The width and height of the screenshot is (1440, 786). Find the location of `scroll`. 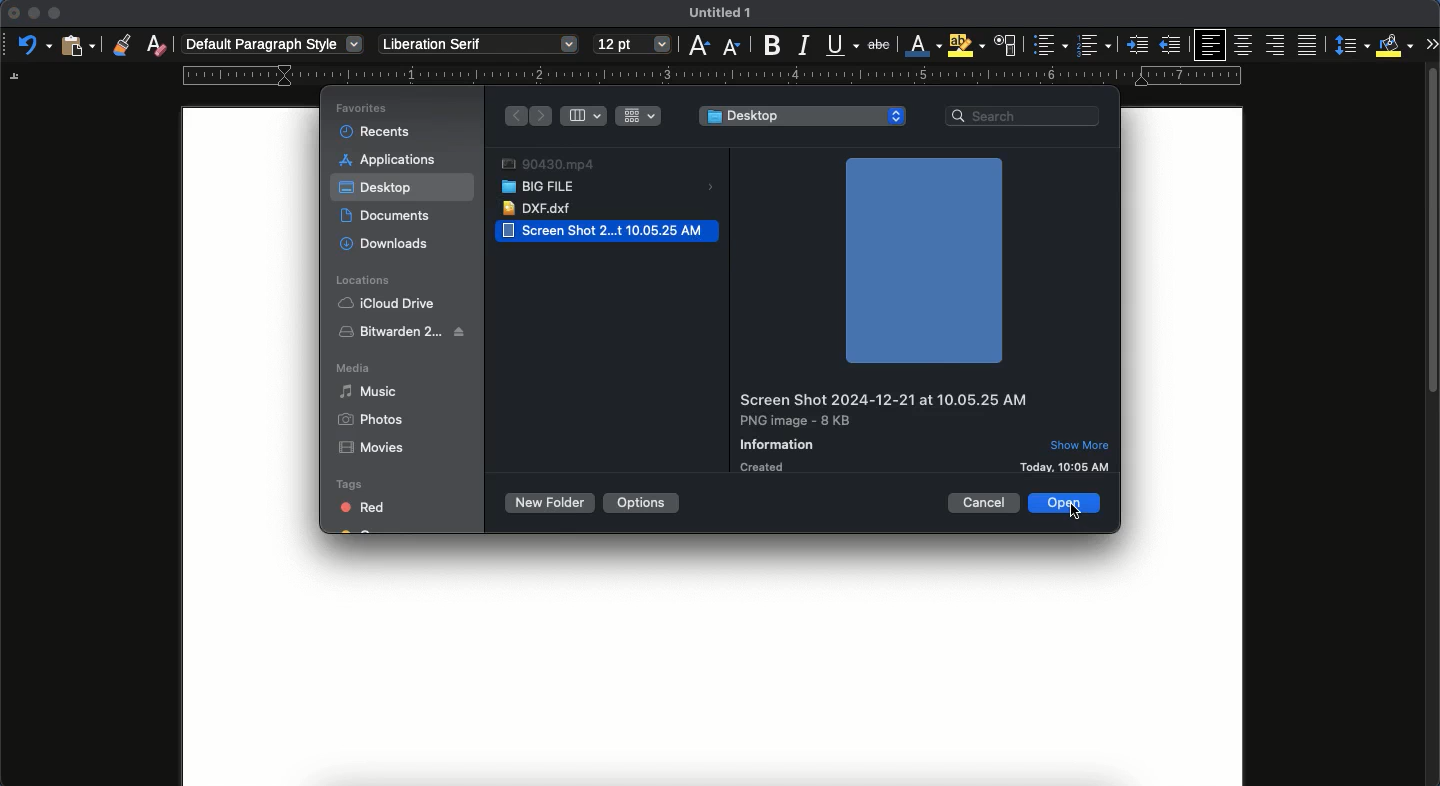

scroll is located at coordinates (1433, 429).